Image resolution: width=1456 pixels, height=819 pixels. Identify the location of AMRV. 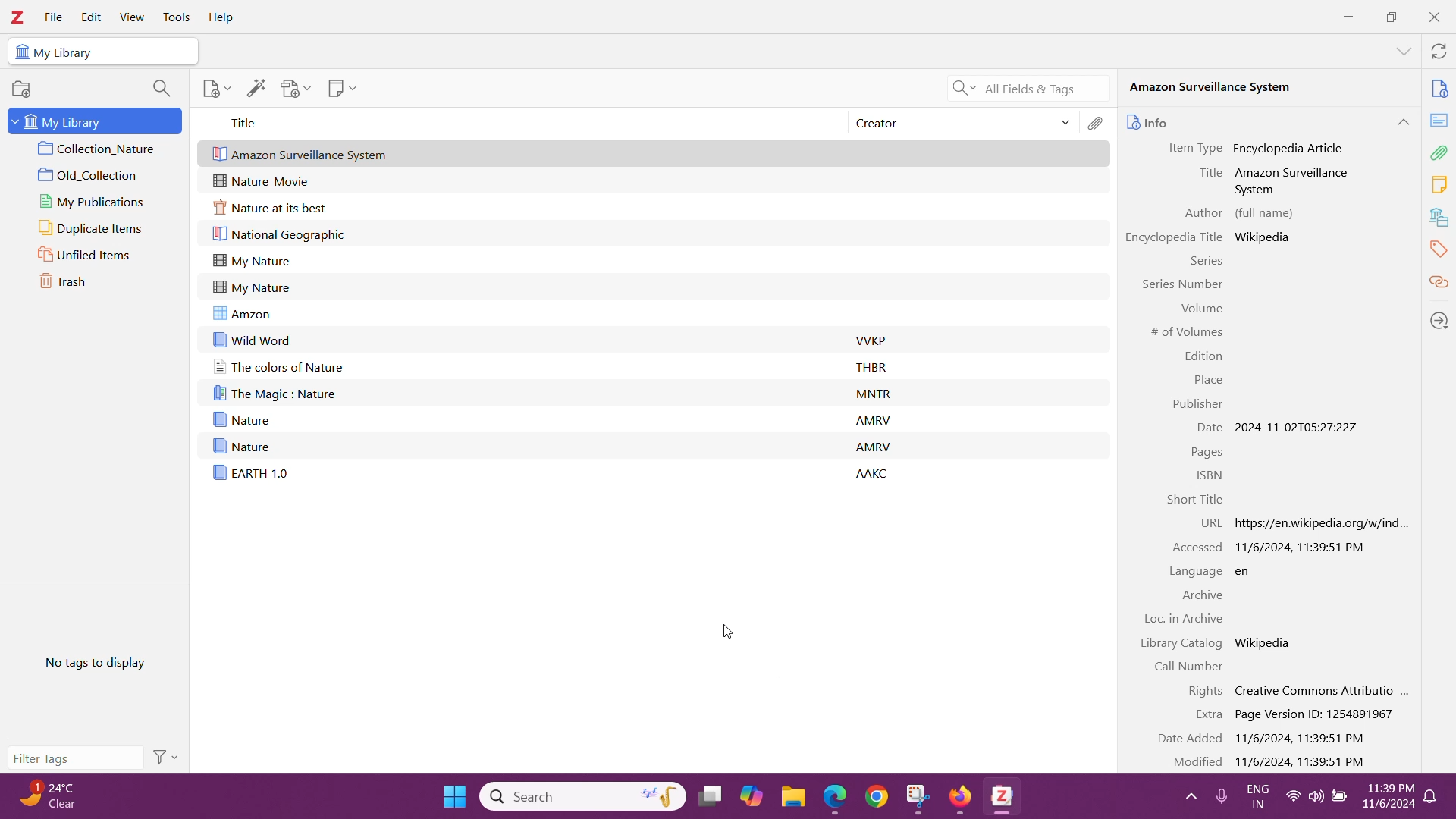
(873, 446).